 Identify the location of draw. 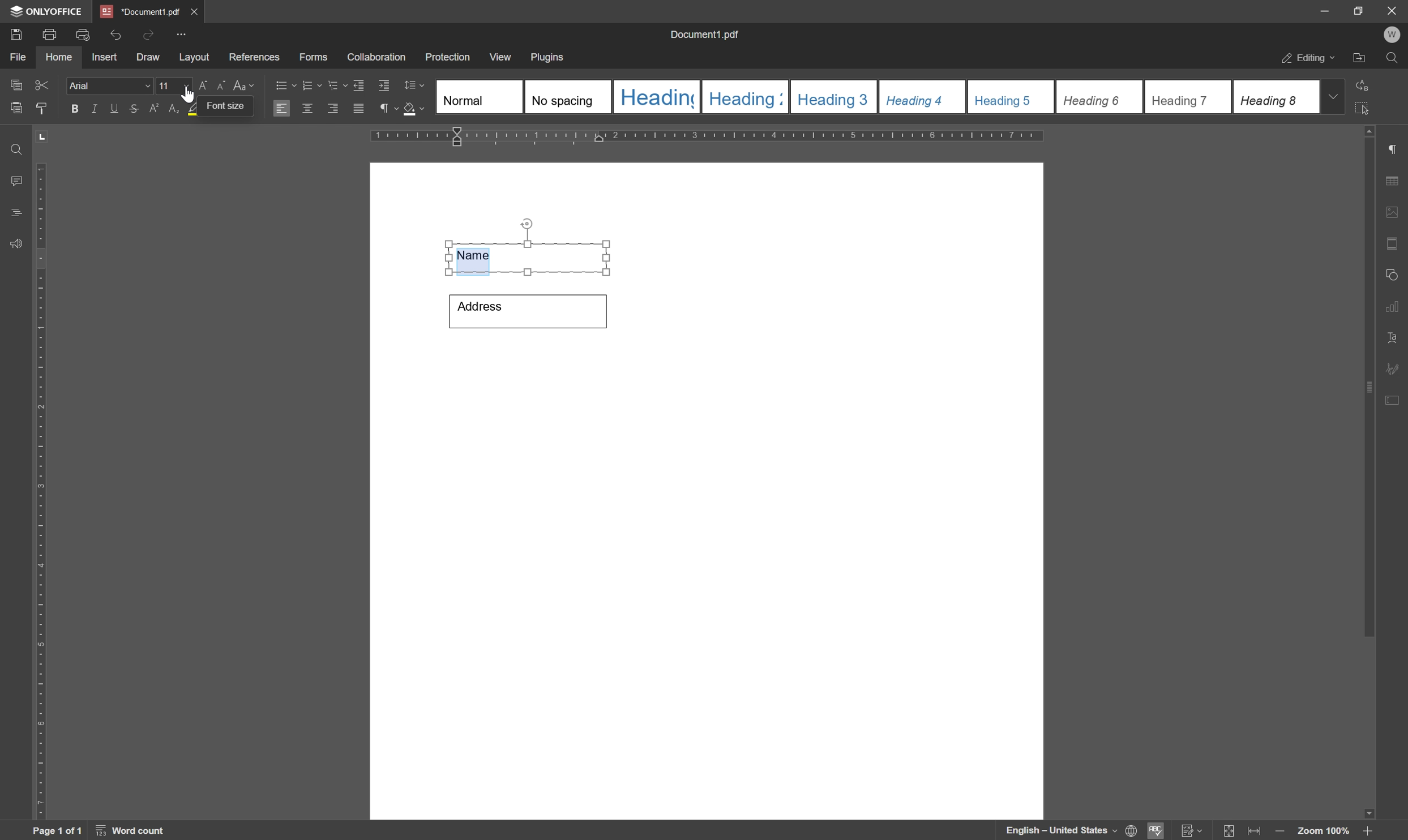
(148, 58).